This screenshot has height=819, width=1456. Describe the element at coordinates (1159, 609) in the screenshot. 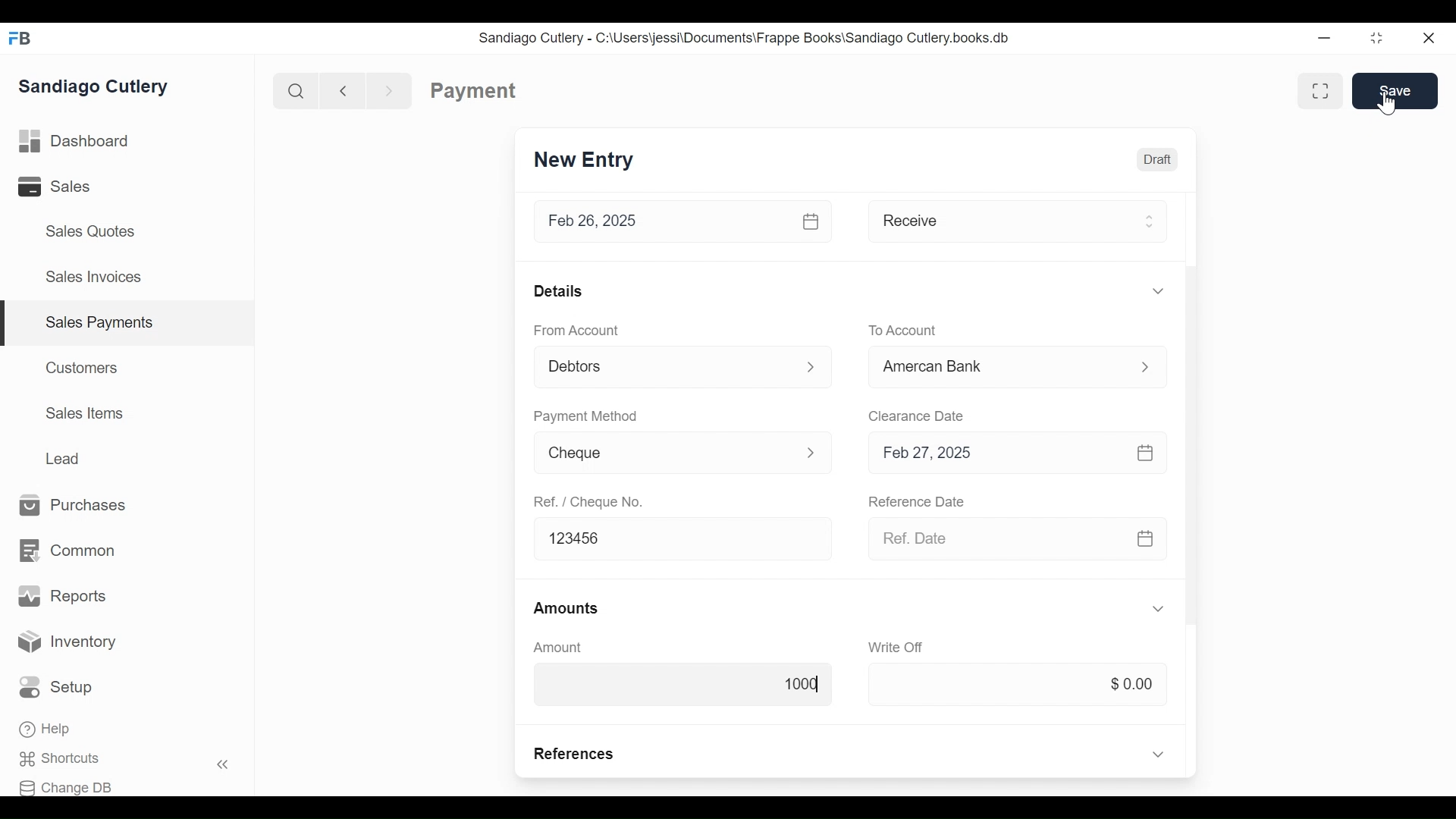

I see `Expand` at that location.